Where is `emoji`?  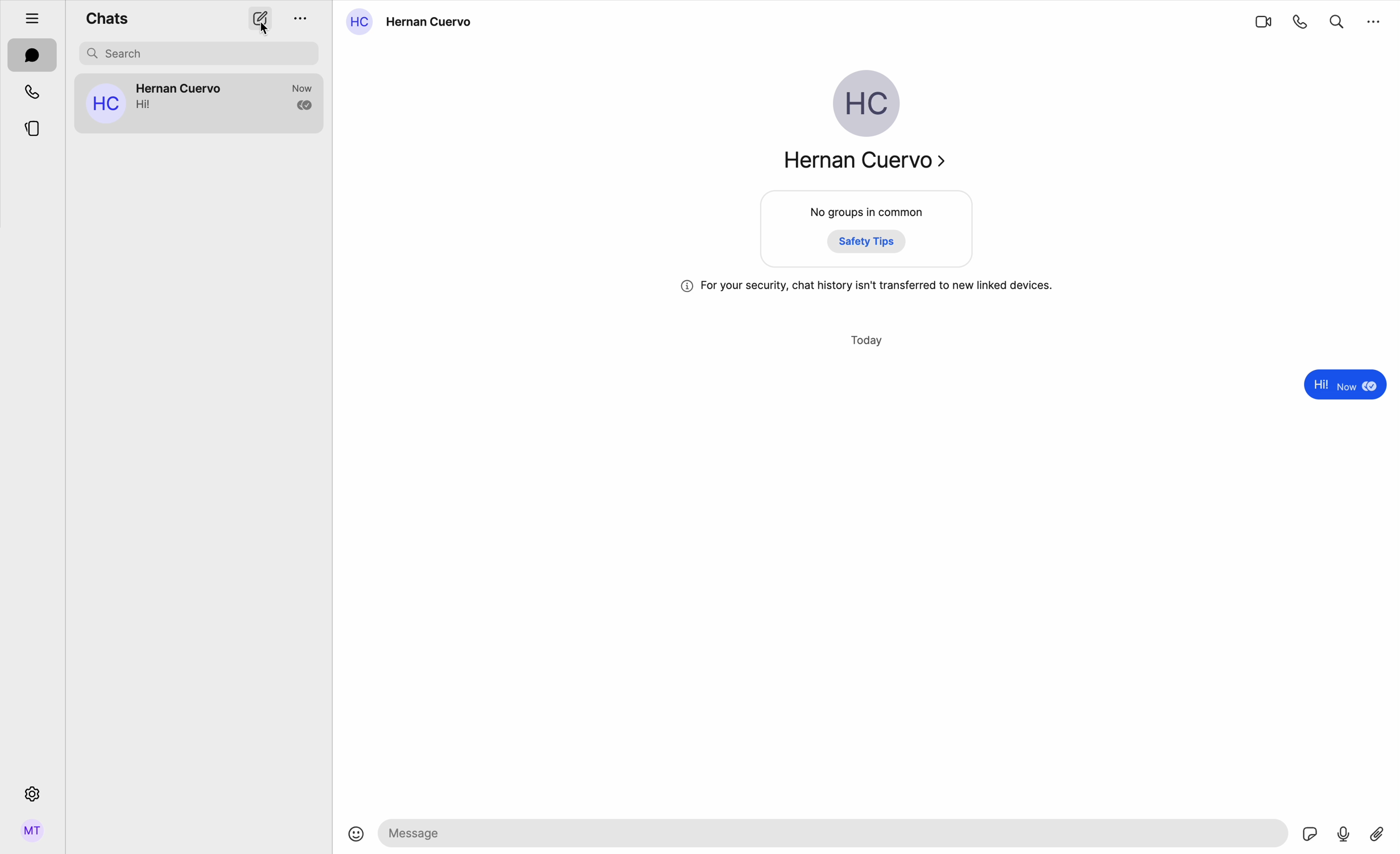
emoji is located at coordinates (356, 835).